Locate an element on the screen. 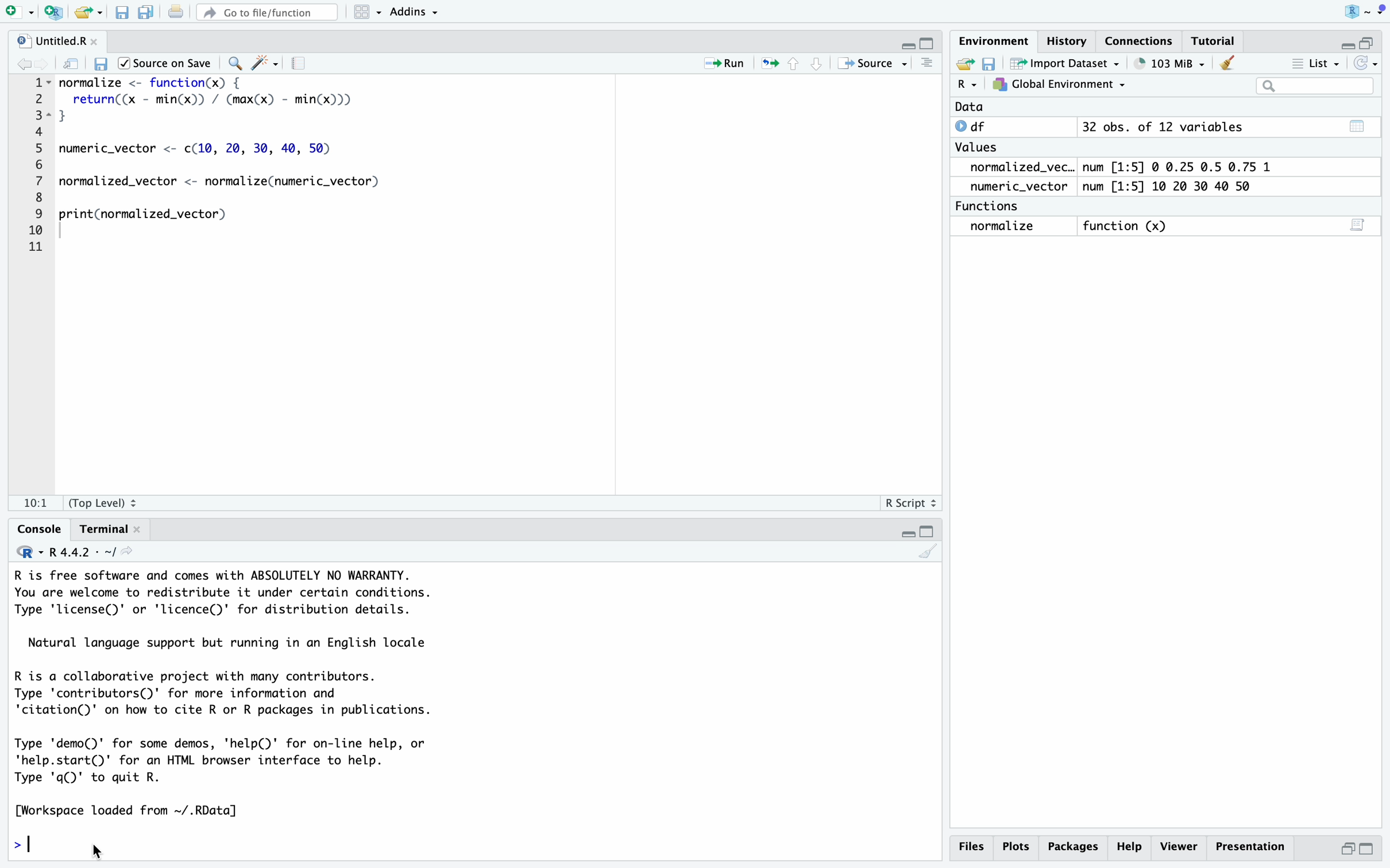  Source is located at coordinates (869, 64).